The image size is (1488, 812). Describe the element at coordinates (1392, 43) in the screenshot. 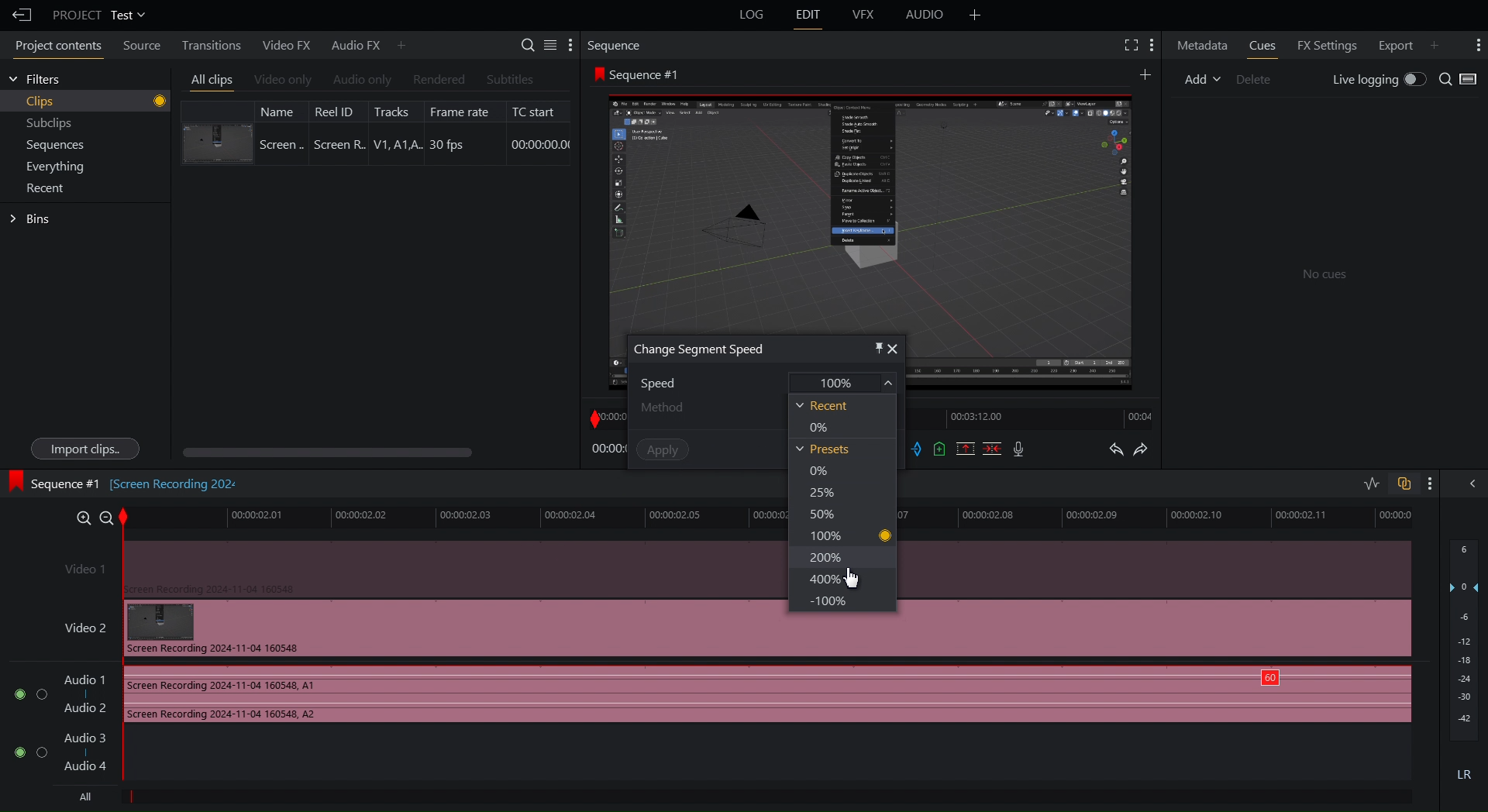

I see `Export` at that location.